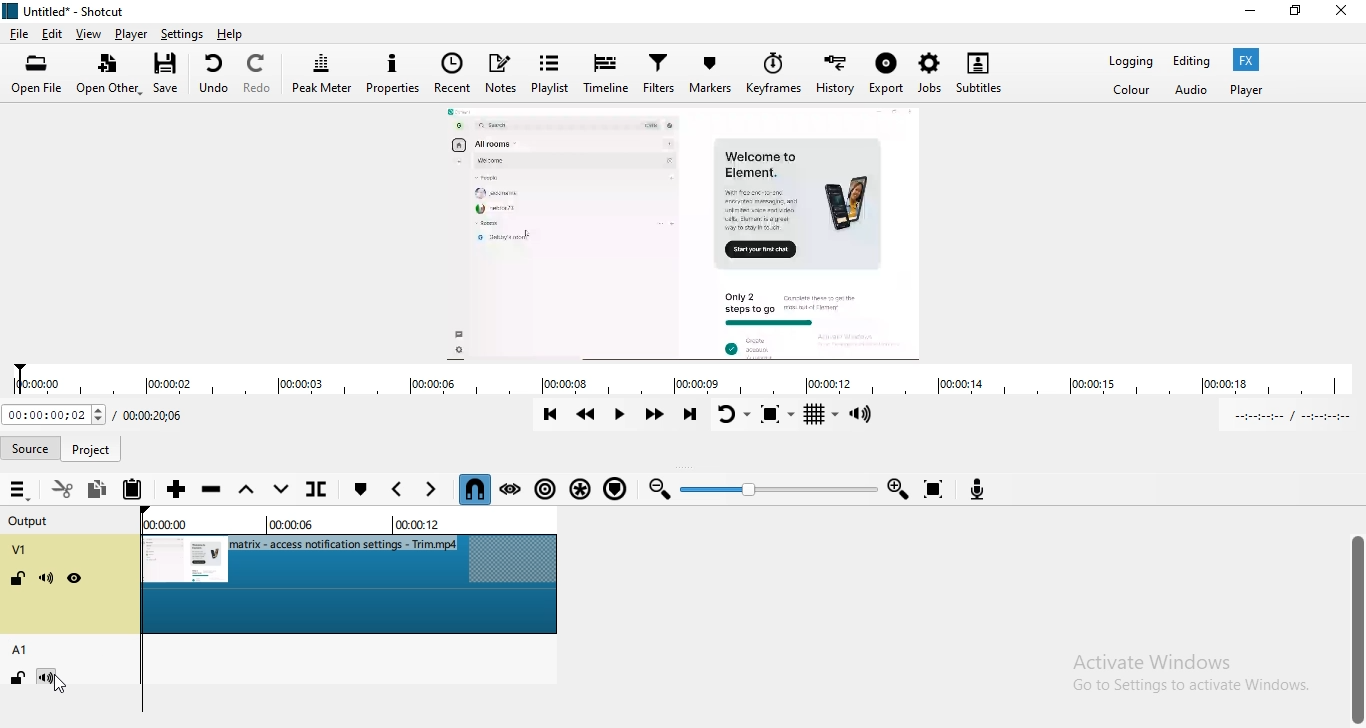 The image size is (1366, 728). I want to click on Save, so click(169, 75).